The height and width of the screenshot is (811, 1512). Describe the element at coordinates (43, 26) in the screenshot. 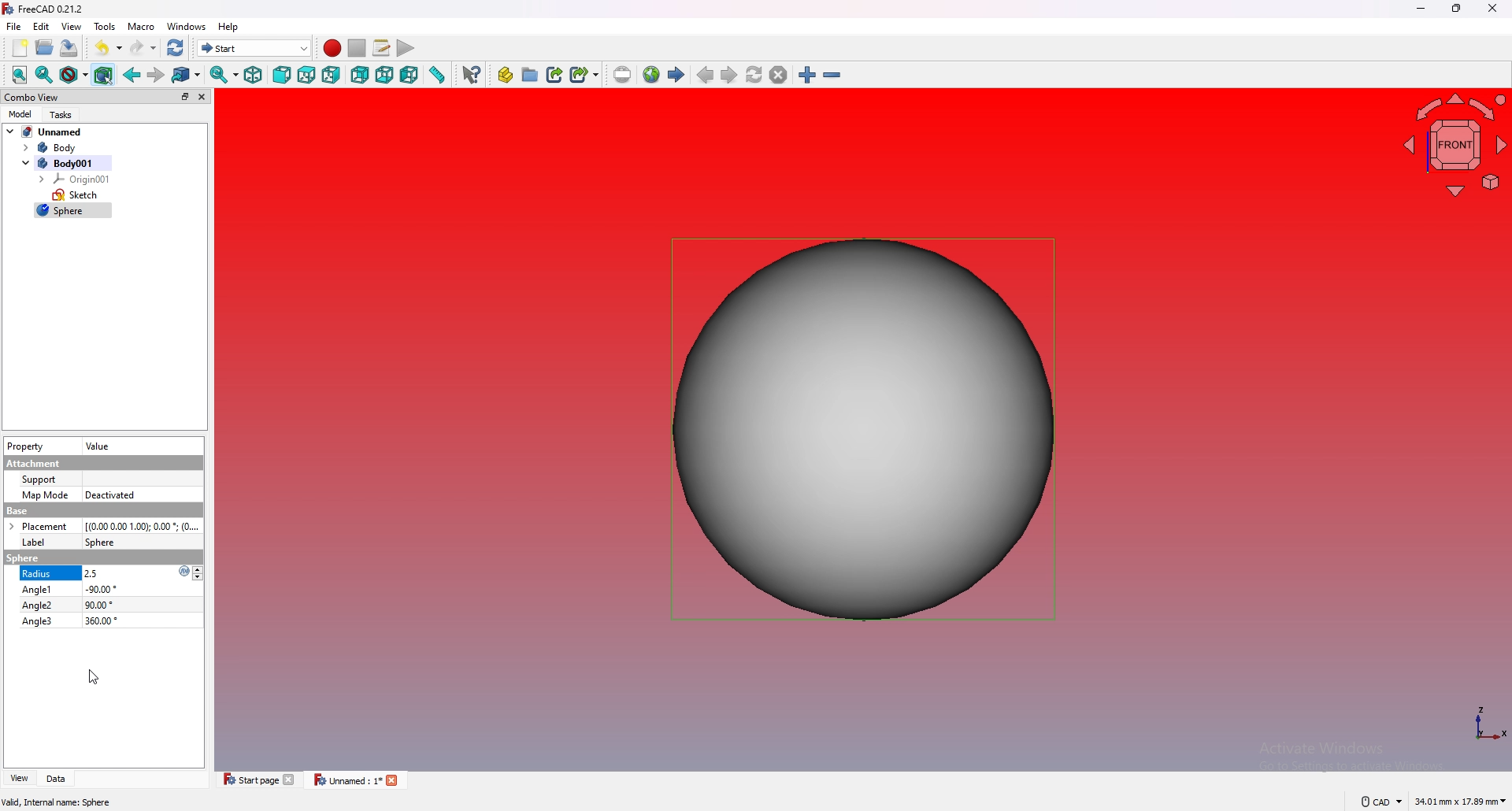

I see `edit` at that location.